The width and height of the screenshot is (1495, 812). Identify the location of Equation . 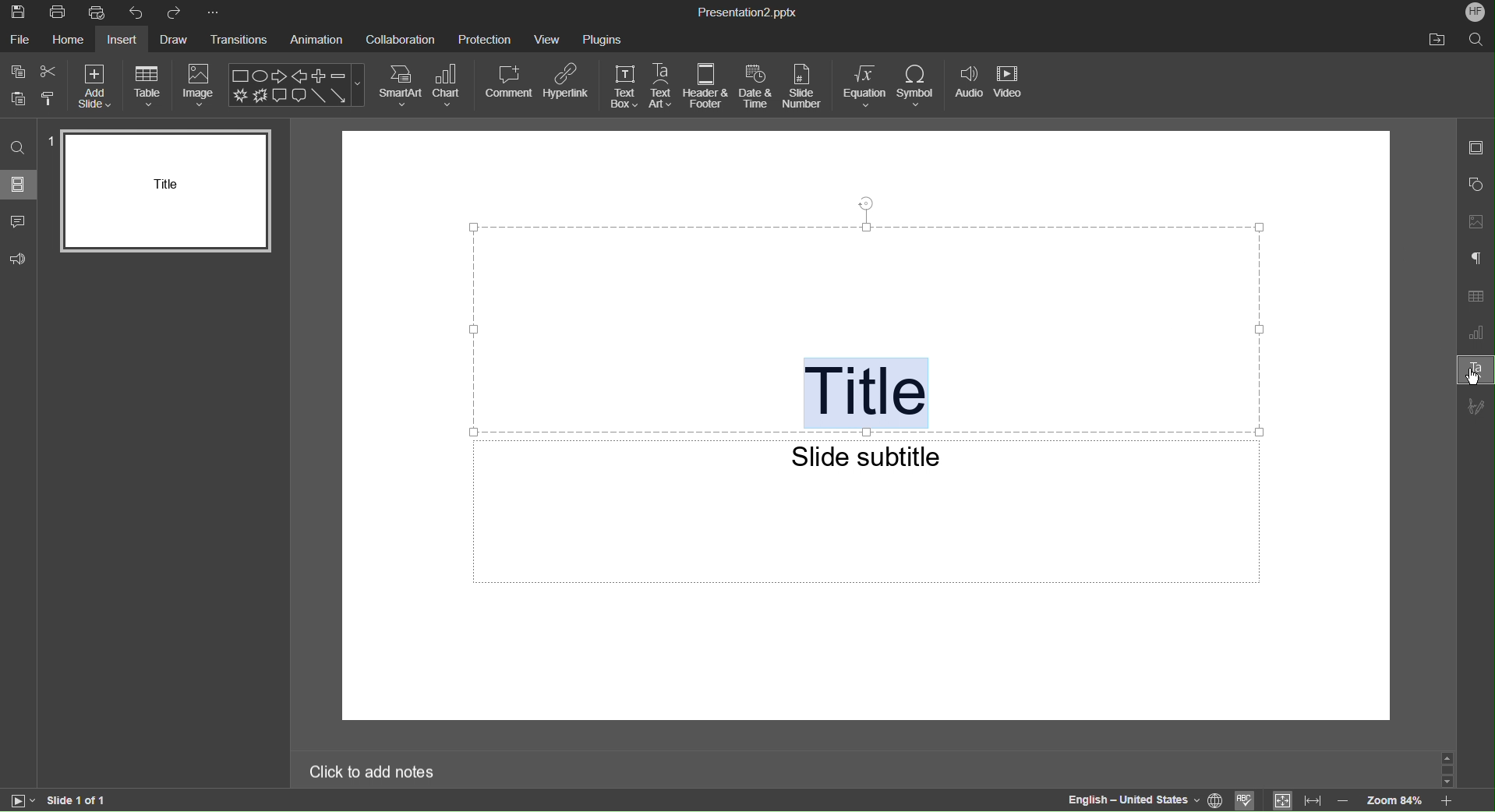
(864, 86).